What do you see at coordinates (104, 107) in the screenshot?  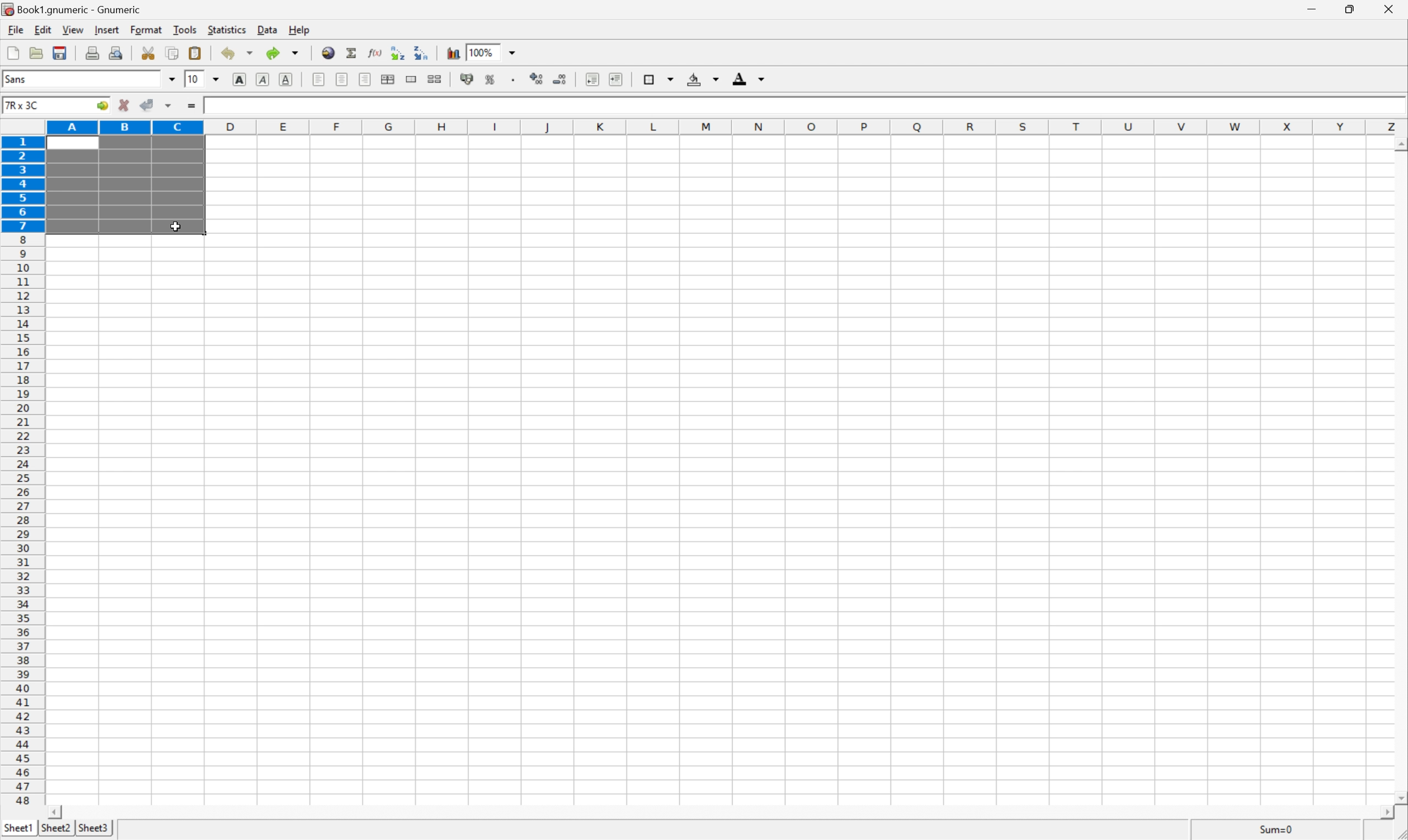 I see `go to` at bounding box center [104, 107].